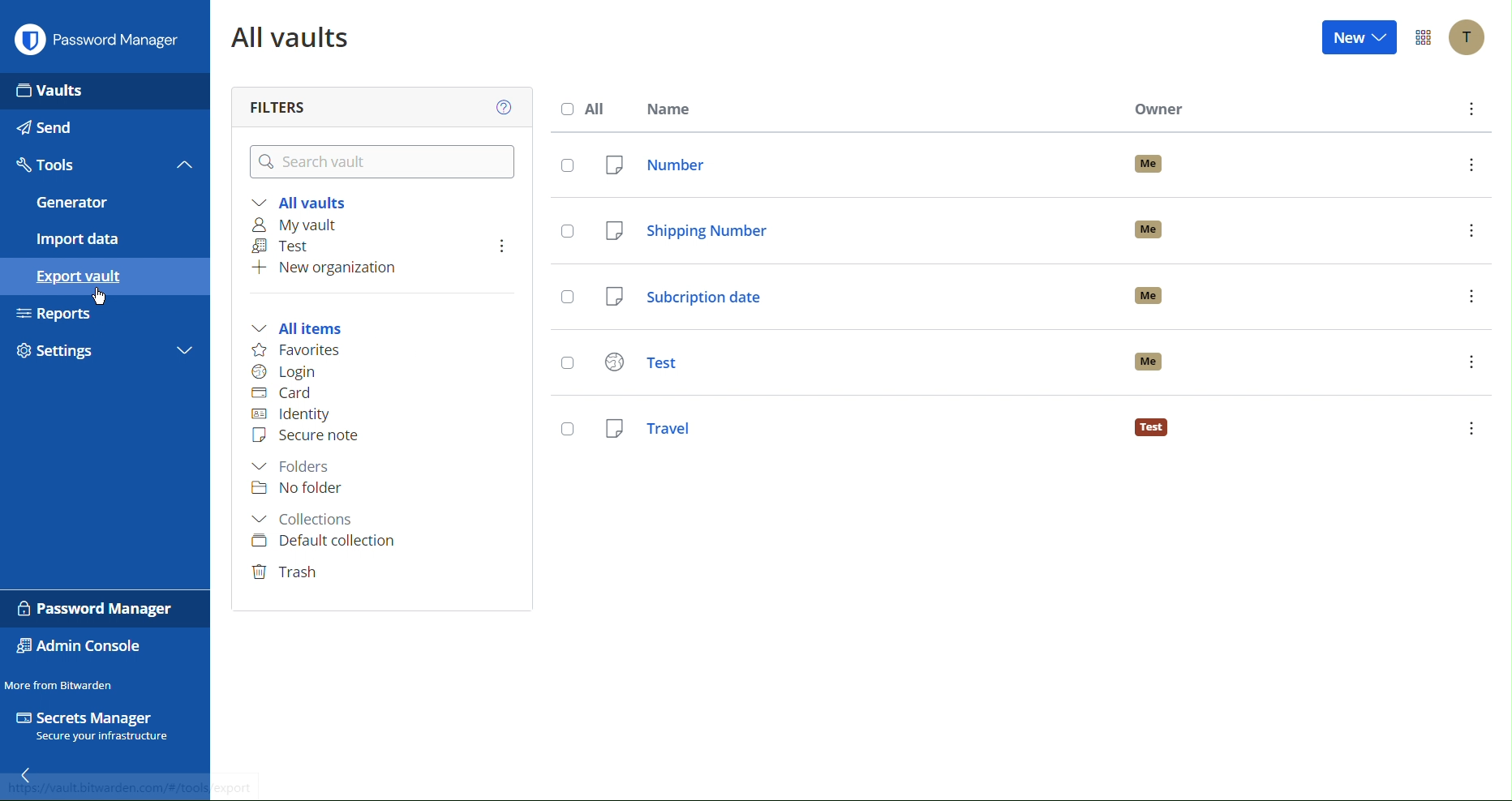 This screenshot has height=801, width=1512. What do you see at coordinates (307, 199) in the screenshot?
I see `All Vaults` at bounding box center [307, 199].